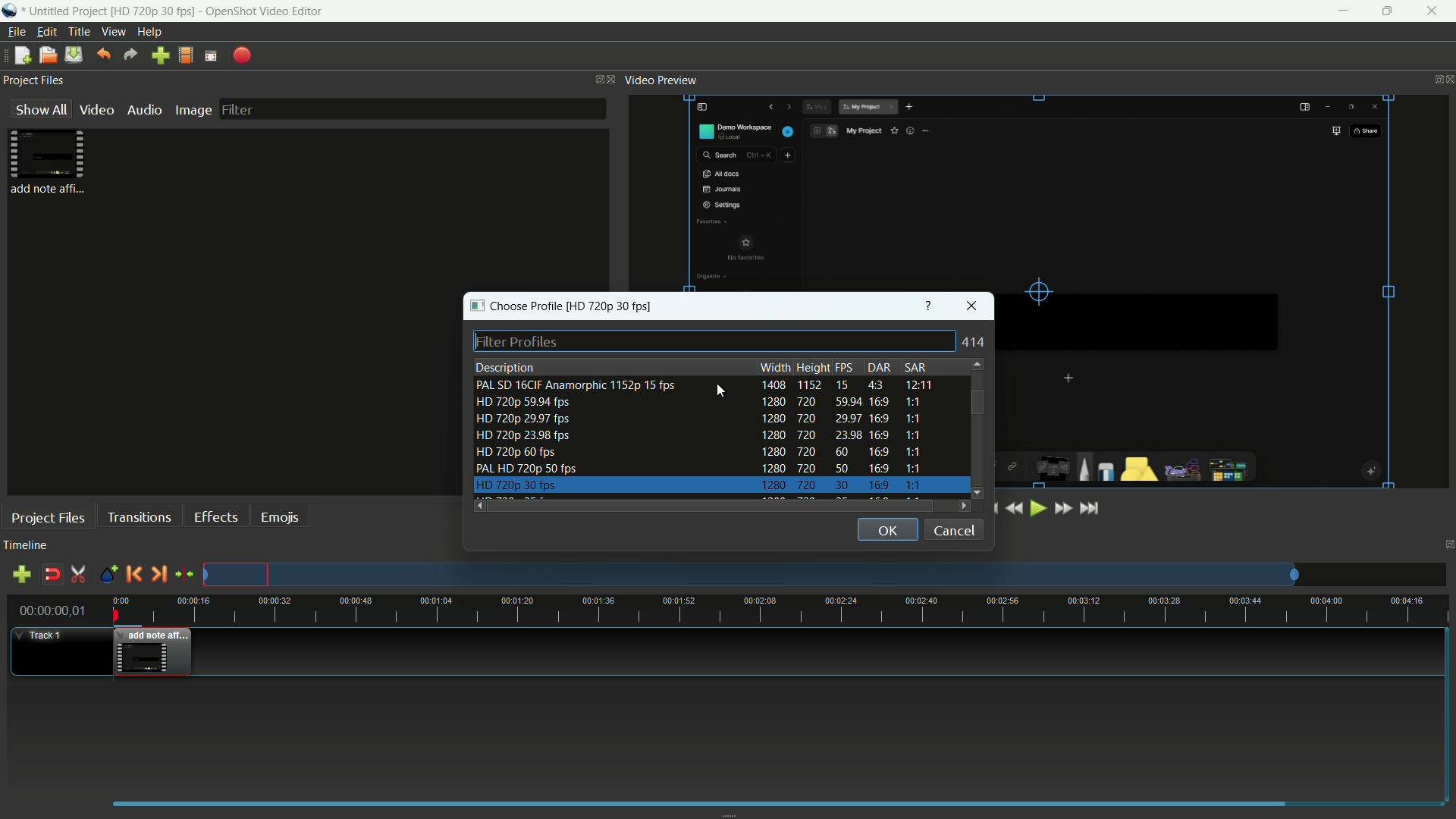 This screenshot has height=819, width=1456. I want to click on maximize, so click(1389, 11).